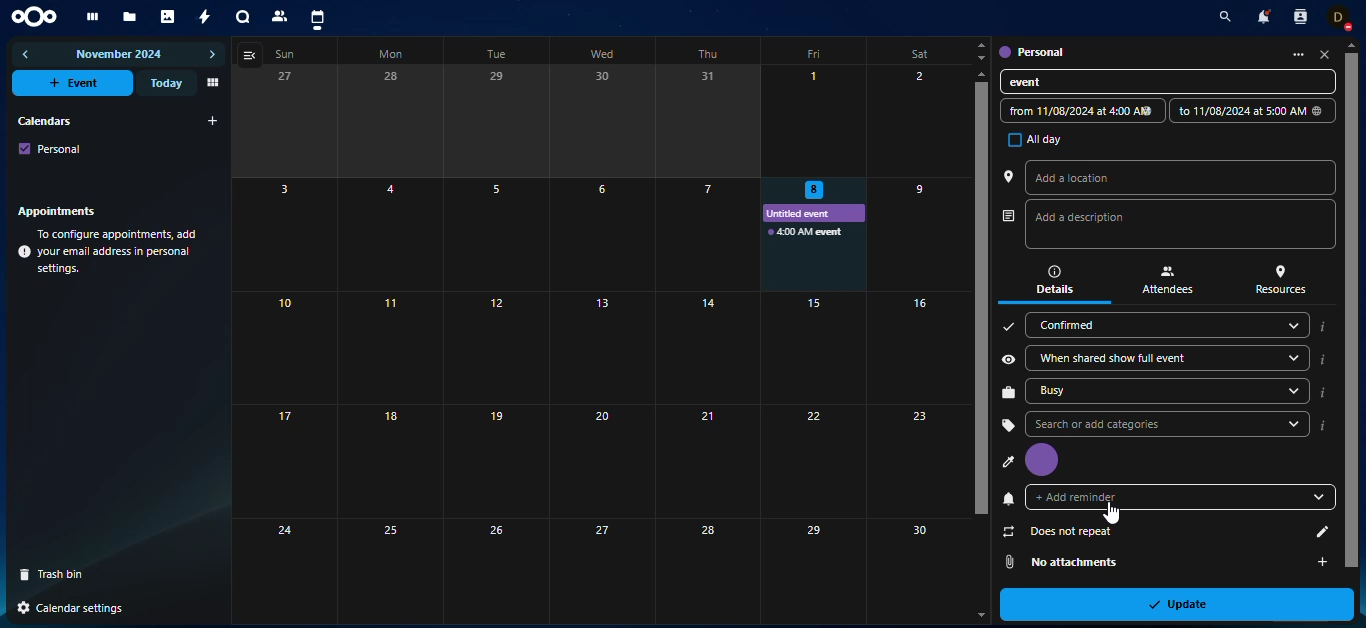 The image size is (1366, 628). I want to click on , so click(706, 234).